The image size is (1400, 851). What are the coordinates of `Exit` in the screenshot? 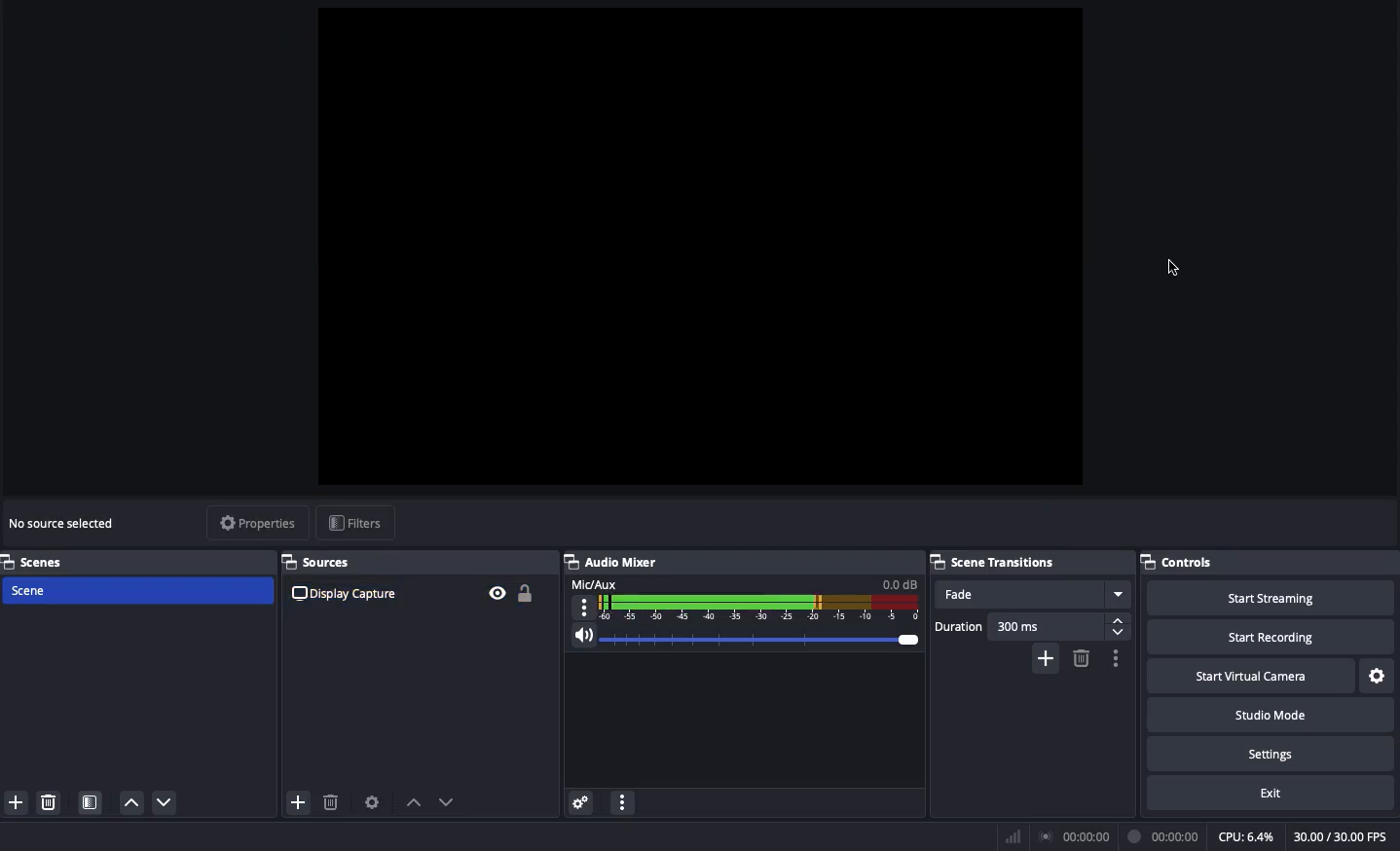 It's located at (1273, 792).